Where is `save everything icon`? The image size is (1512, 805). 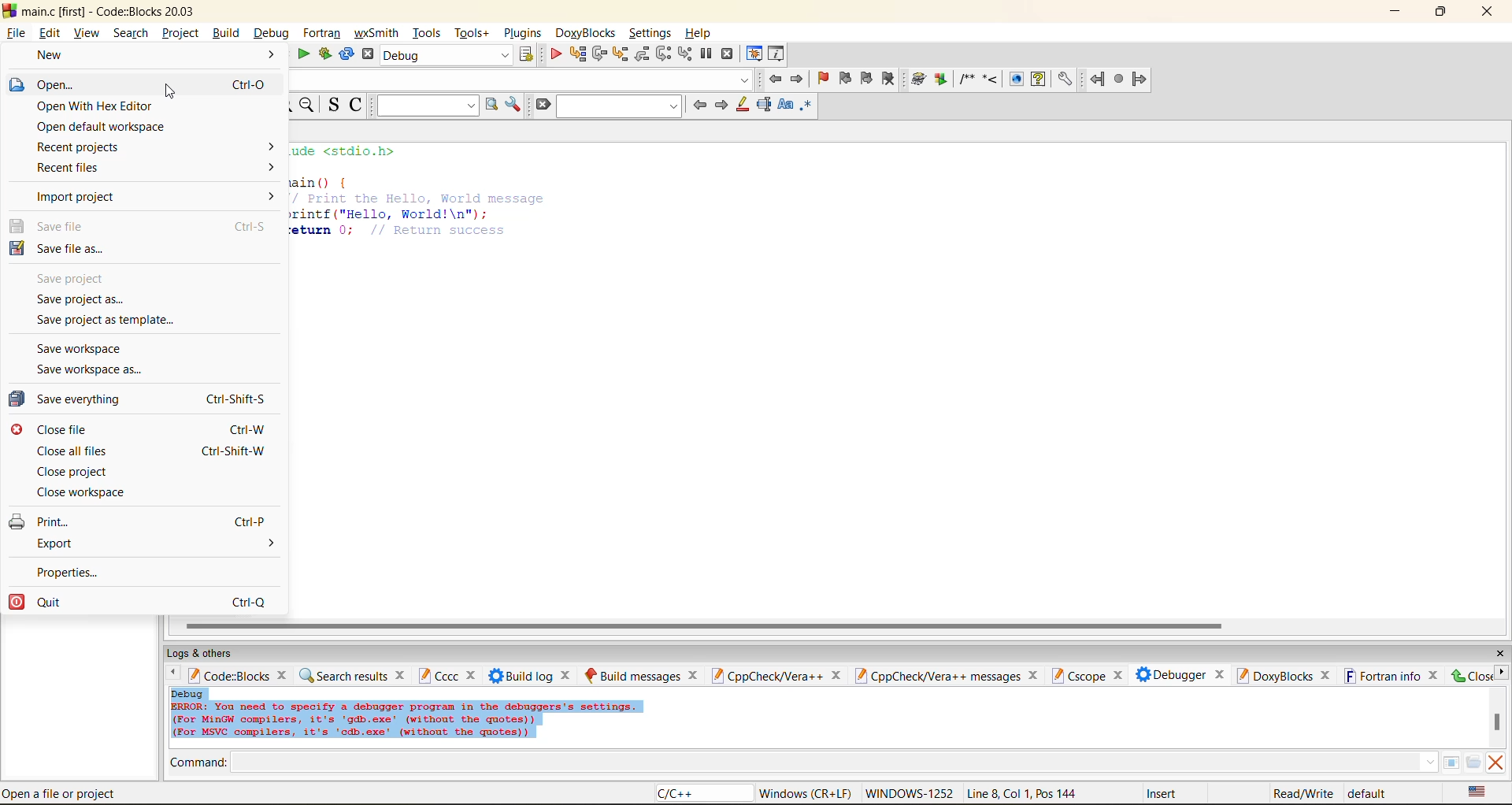
save everything icon is located at coordinates (18, 399).